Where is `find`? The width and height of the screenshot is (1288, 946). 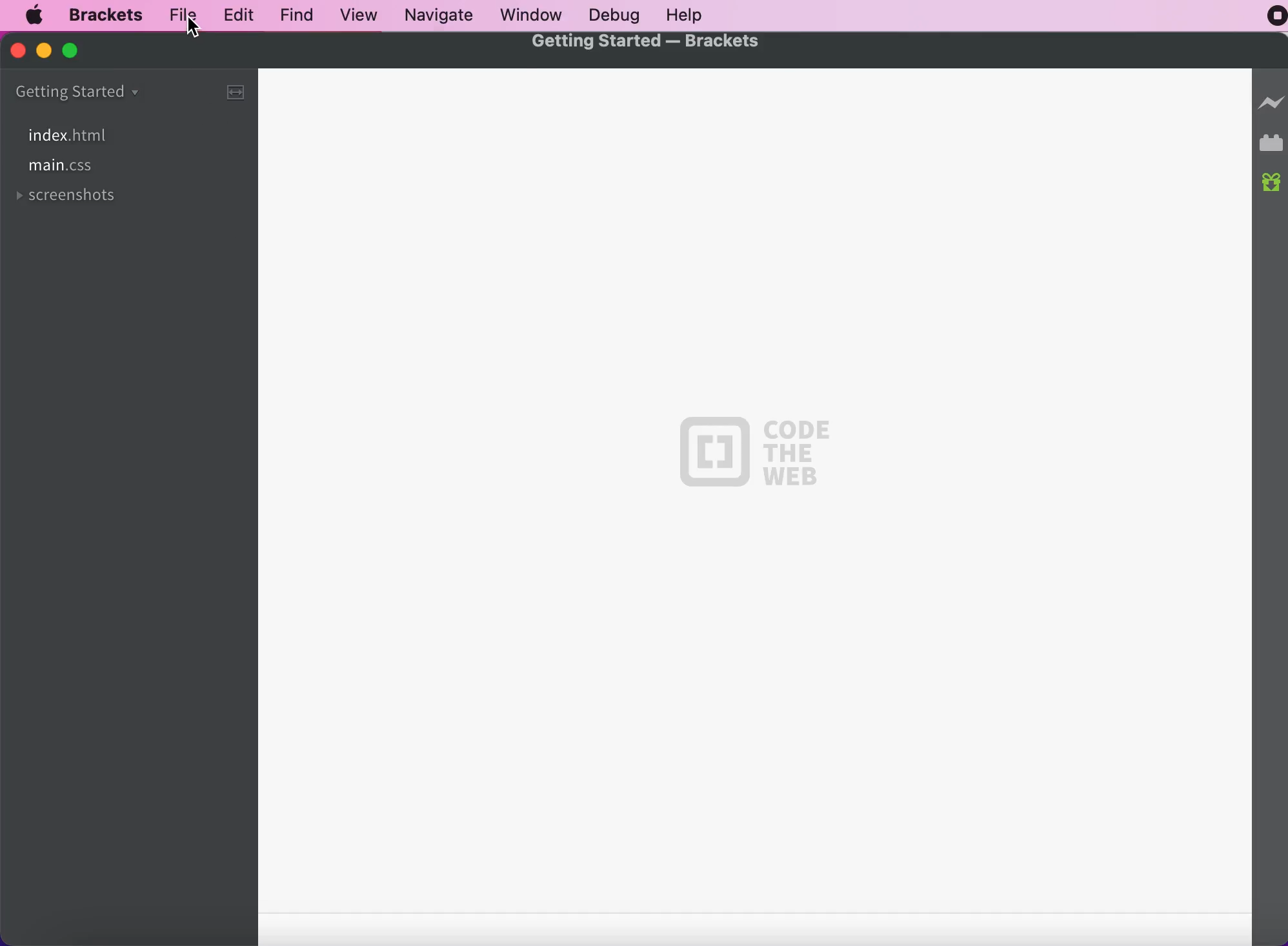
find is located at coordinates (300, 15).